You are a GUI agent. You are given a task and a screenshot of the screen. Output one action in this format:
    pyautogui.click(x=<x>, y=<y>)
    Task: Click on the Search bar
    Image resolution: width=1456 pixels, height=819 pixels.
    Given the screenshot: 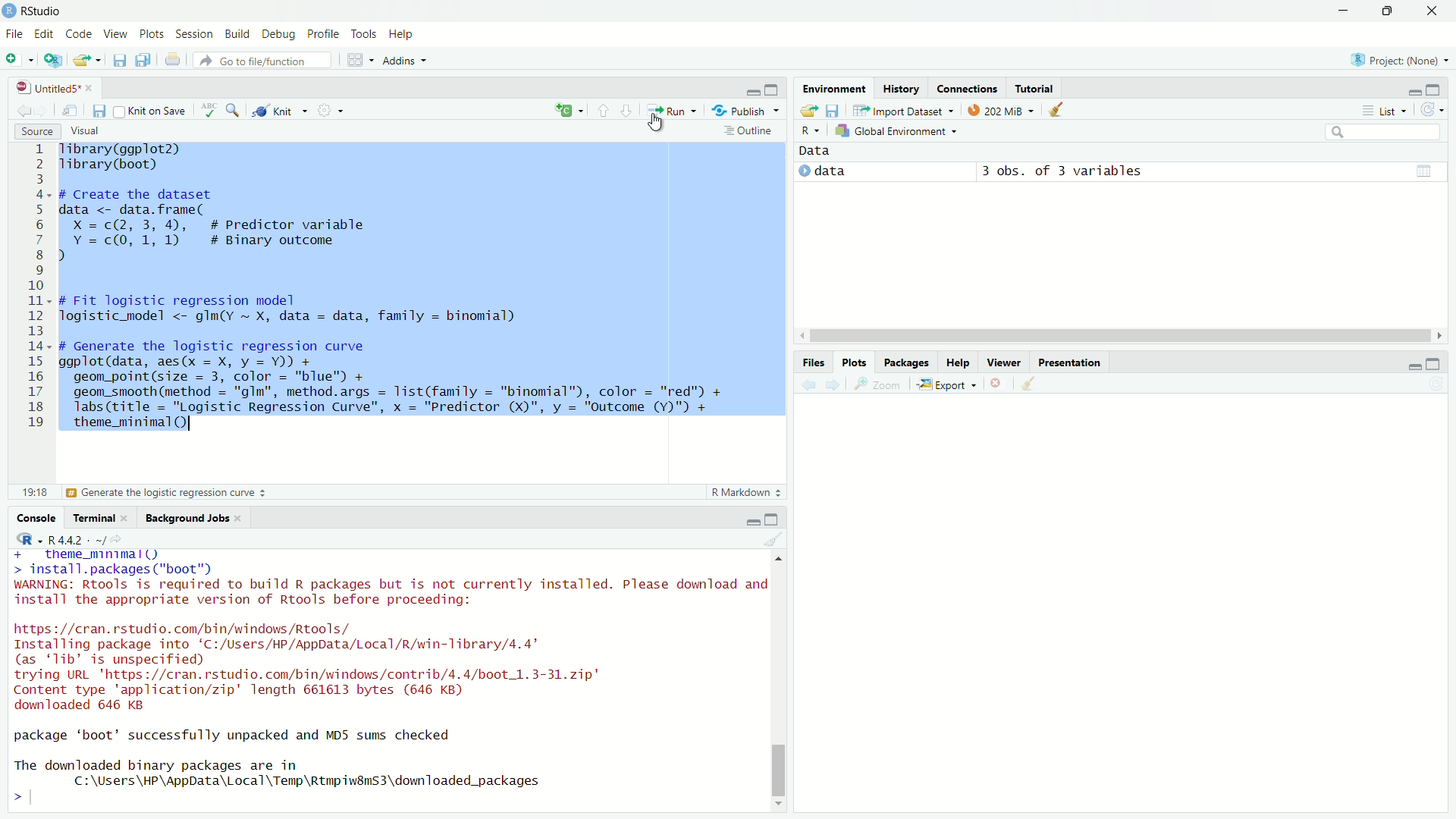 What is the action you would take?
    pyautogui.click(x=1384, y=133)
    